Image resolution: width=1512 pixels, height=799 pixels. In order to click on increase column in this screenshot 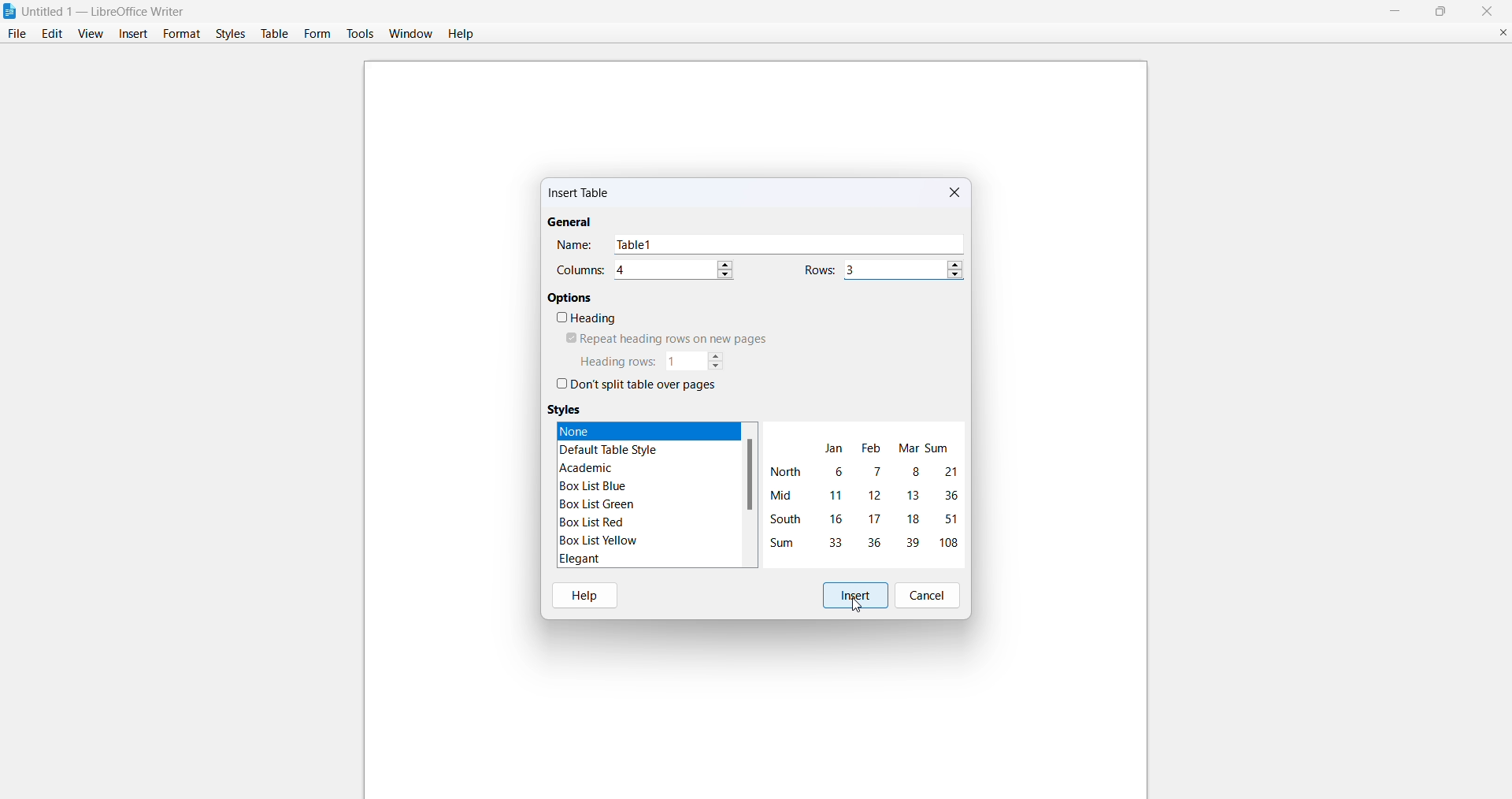, I will do `click(728, 262)`.